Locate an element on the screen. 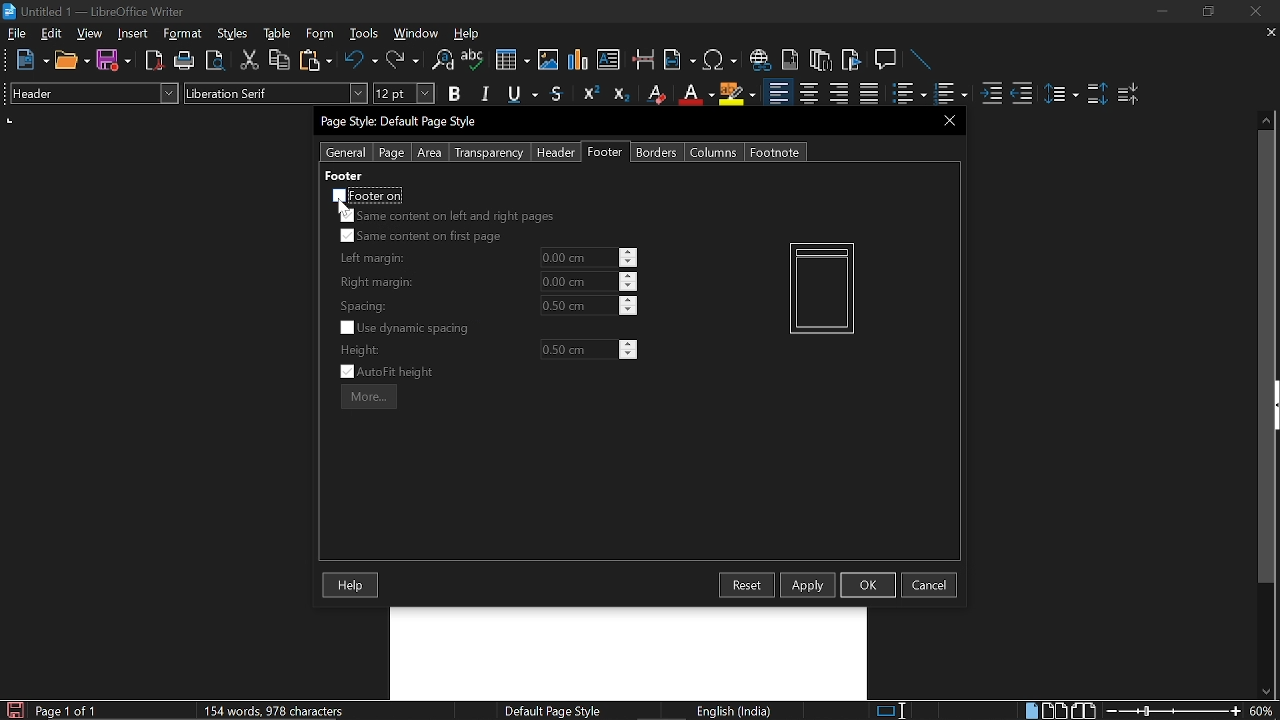  Minimize is located at coordinates (1162, 14).